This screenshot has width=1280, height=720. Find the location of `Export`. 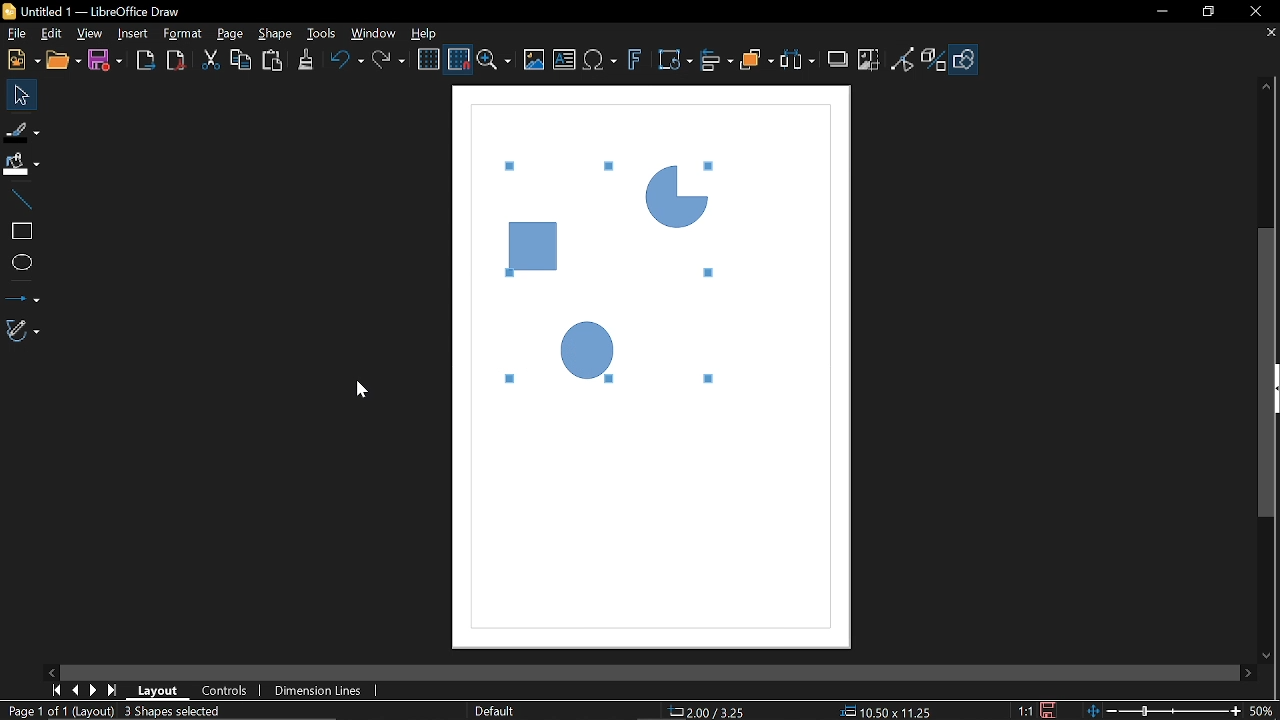

Export is located at coordinates (146, 61).